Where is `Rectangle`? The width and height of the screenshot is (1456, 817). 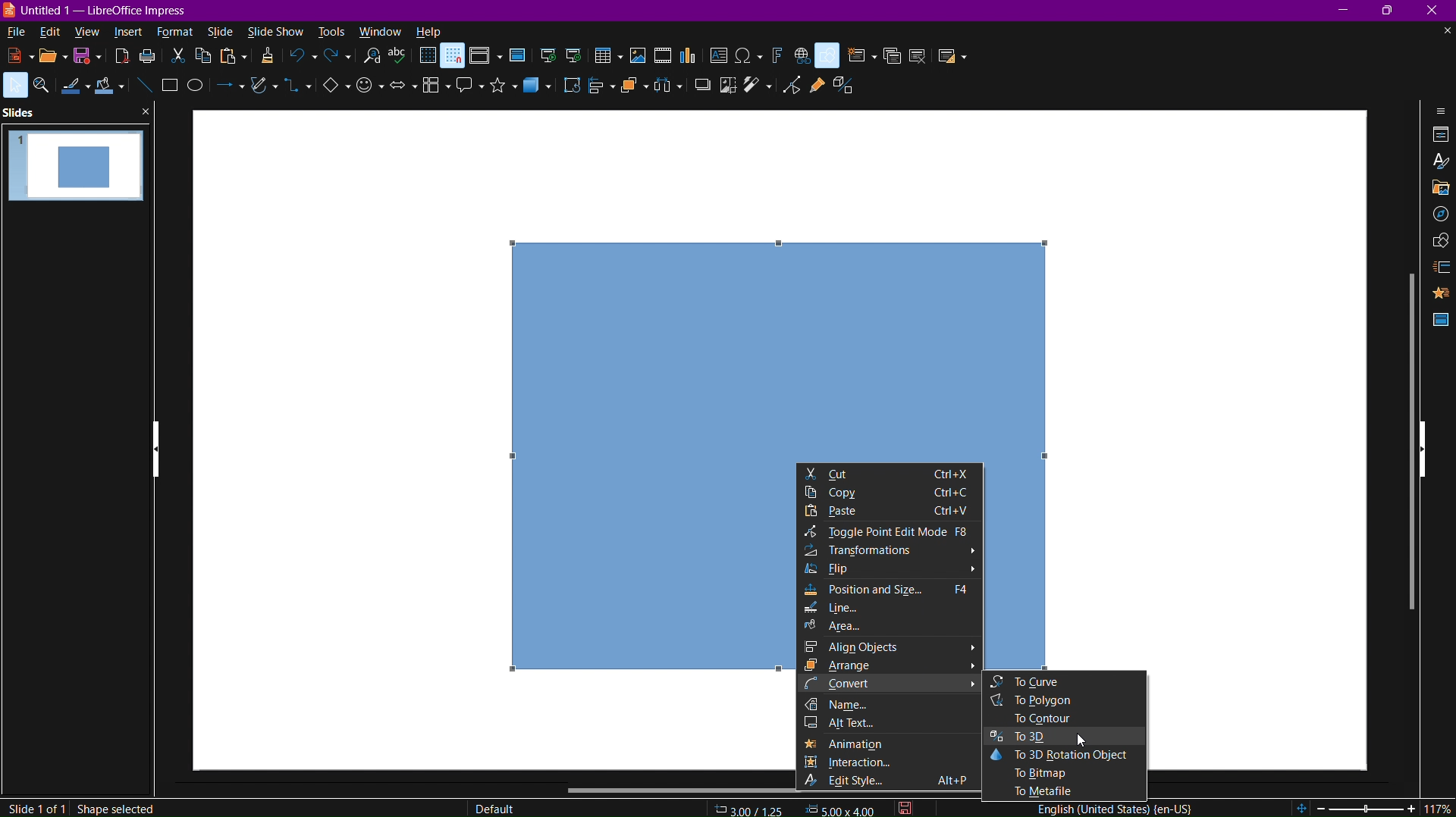 Rectangle is located at coordinates (170, 86).